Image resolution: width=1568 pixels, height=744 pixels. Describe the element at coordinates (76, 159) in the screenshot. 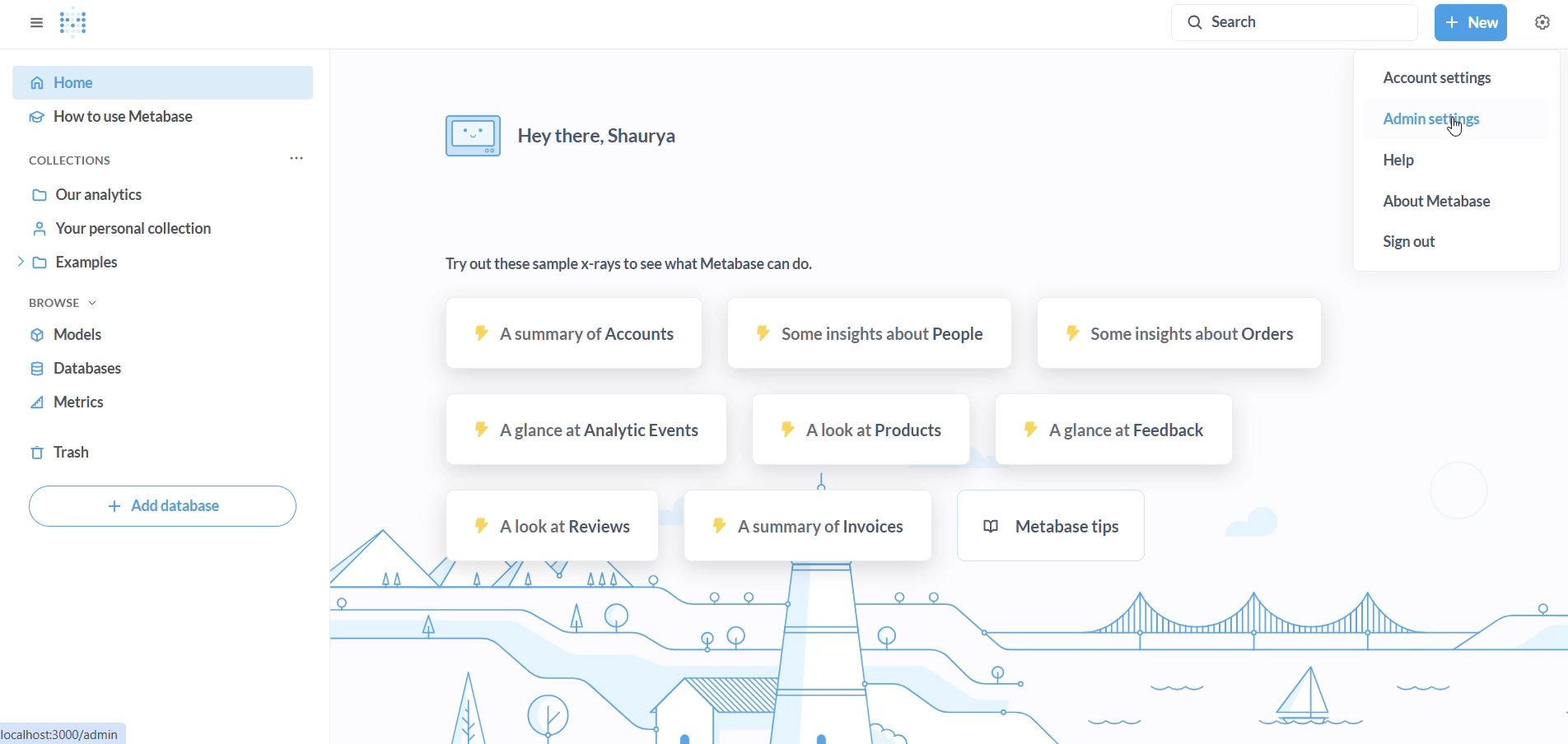

I see `COLLECTIONS` at that location.